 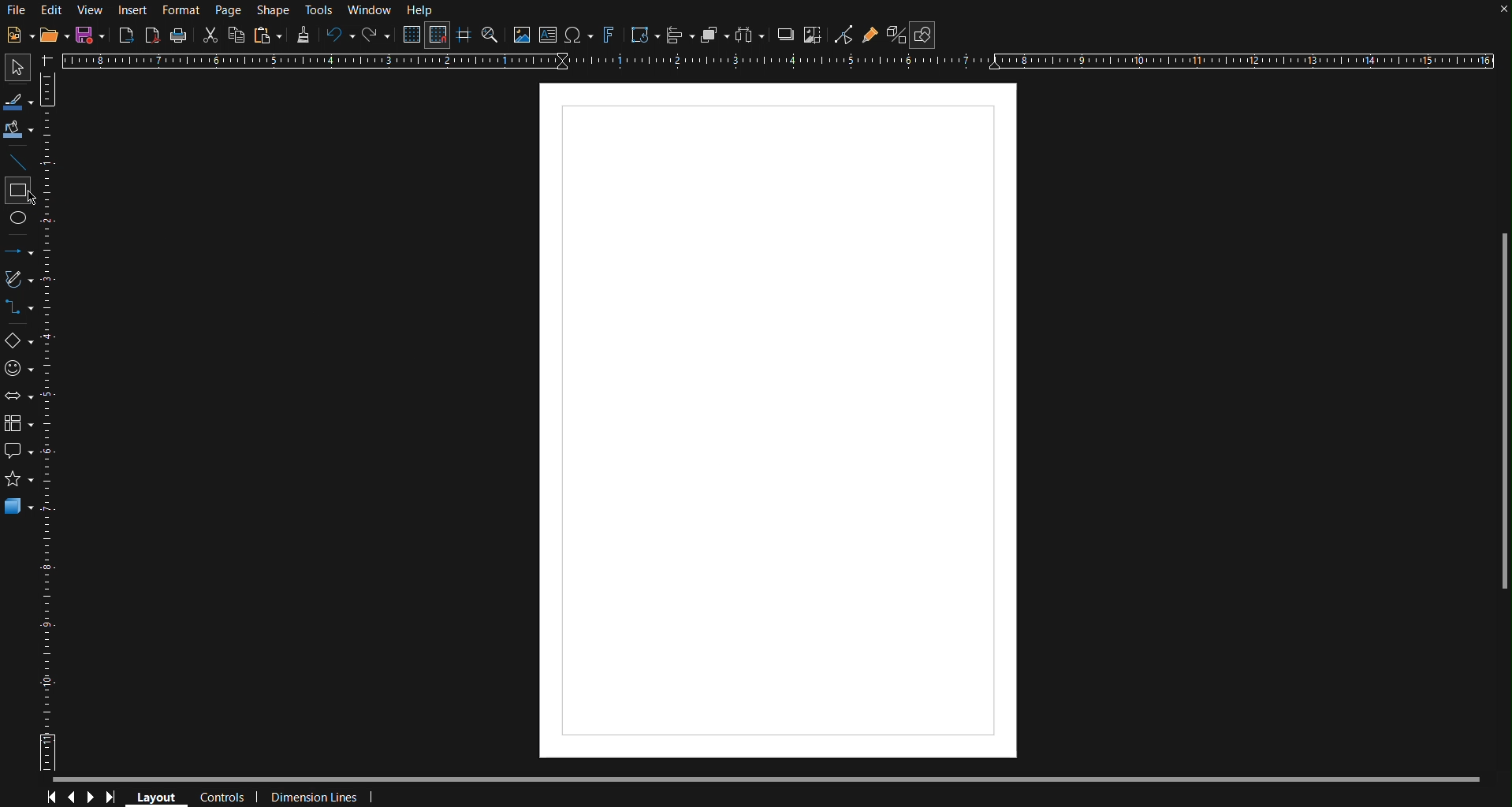 I want to click on Fill Color, so click(x=19, y=129).